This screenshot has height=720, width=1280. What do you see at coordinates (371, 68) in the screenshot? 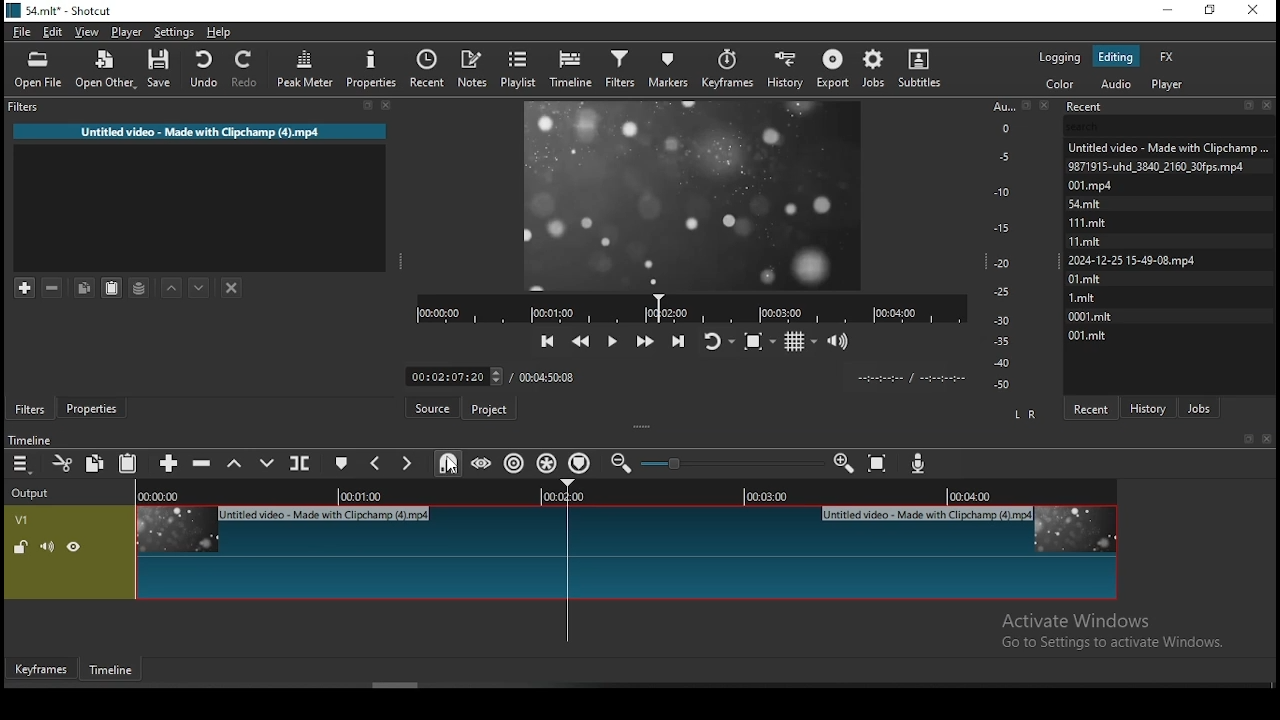
I see `properties` at bounding box center [371, 68].